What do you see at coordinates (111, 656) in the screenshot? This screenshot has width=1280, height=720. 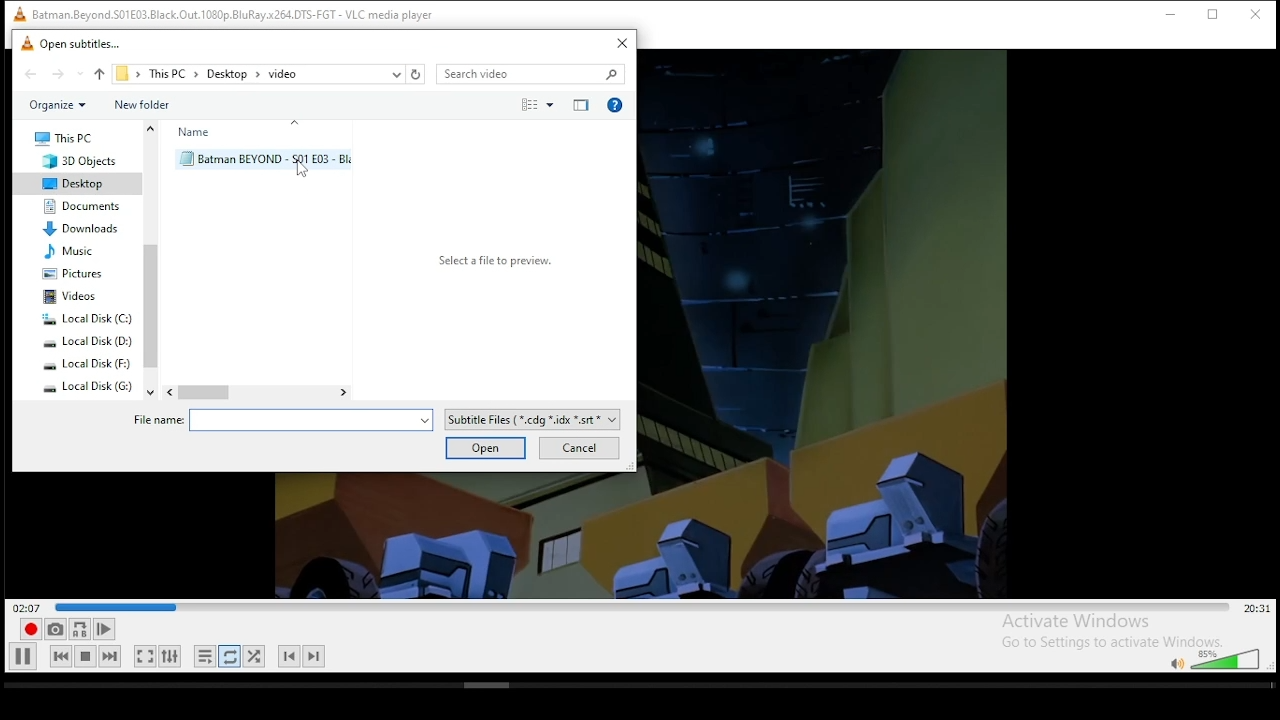 I see `next media in playlist, skips forward when held` at bounding box center [111, 656].